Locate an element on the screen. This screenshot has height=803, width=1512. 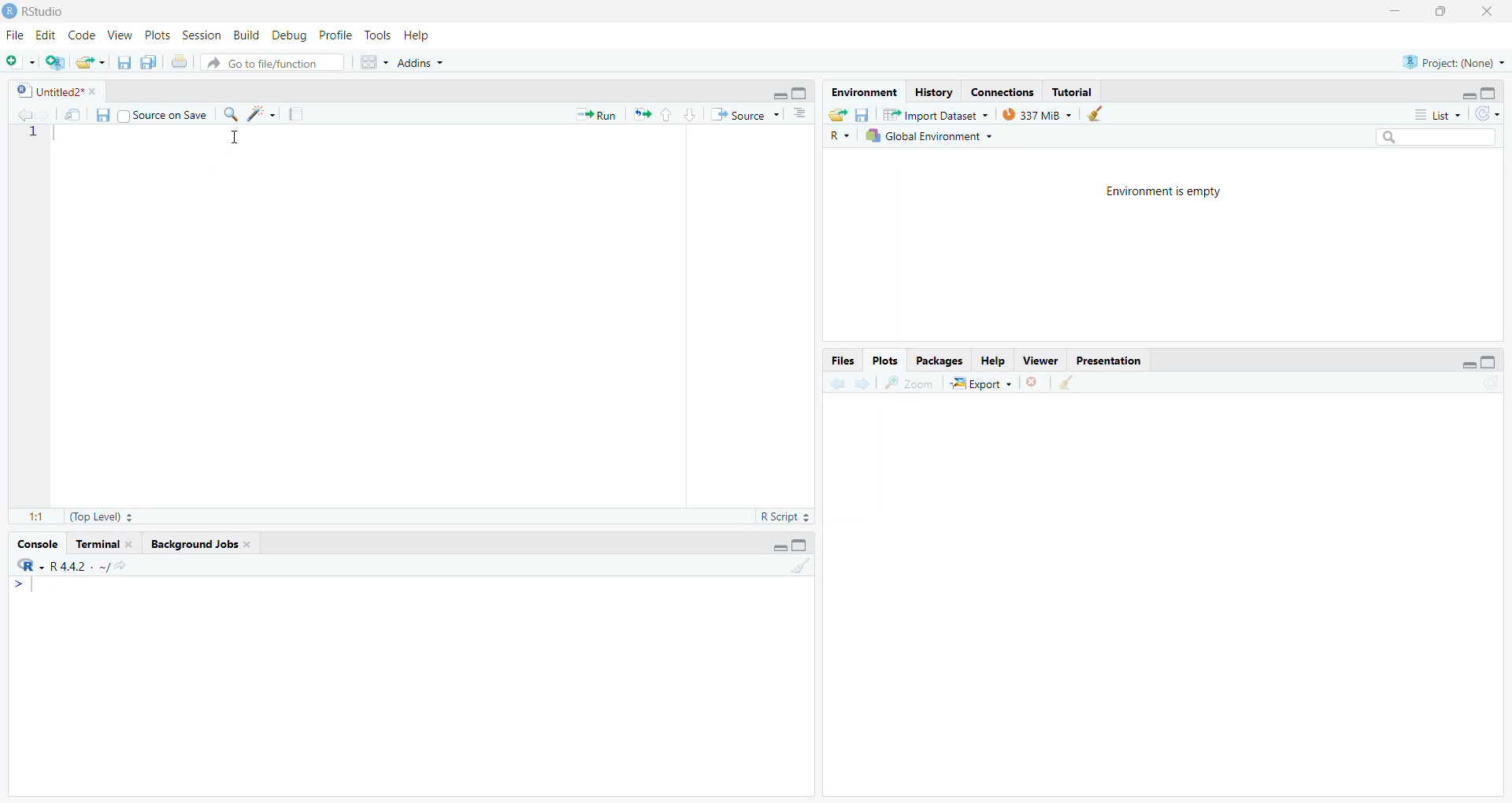
show document outline is located at coordinates (802, 113).